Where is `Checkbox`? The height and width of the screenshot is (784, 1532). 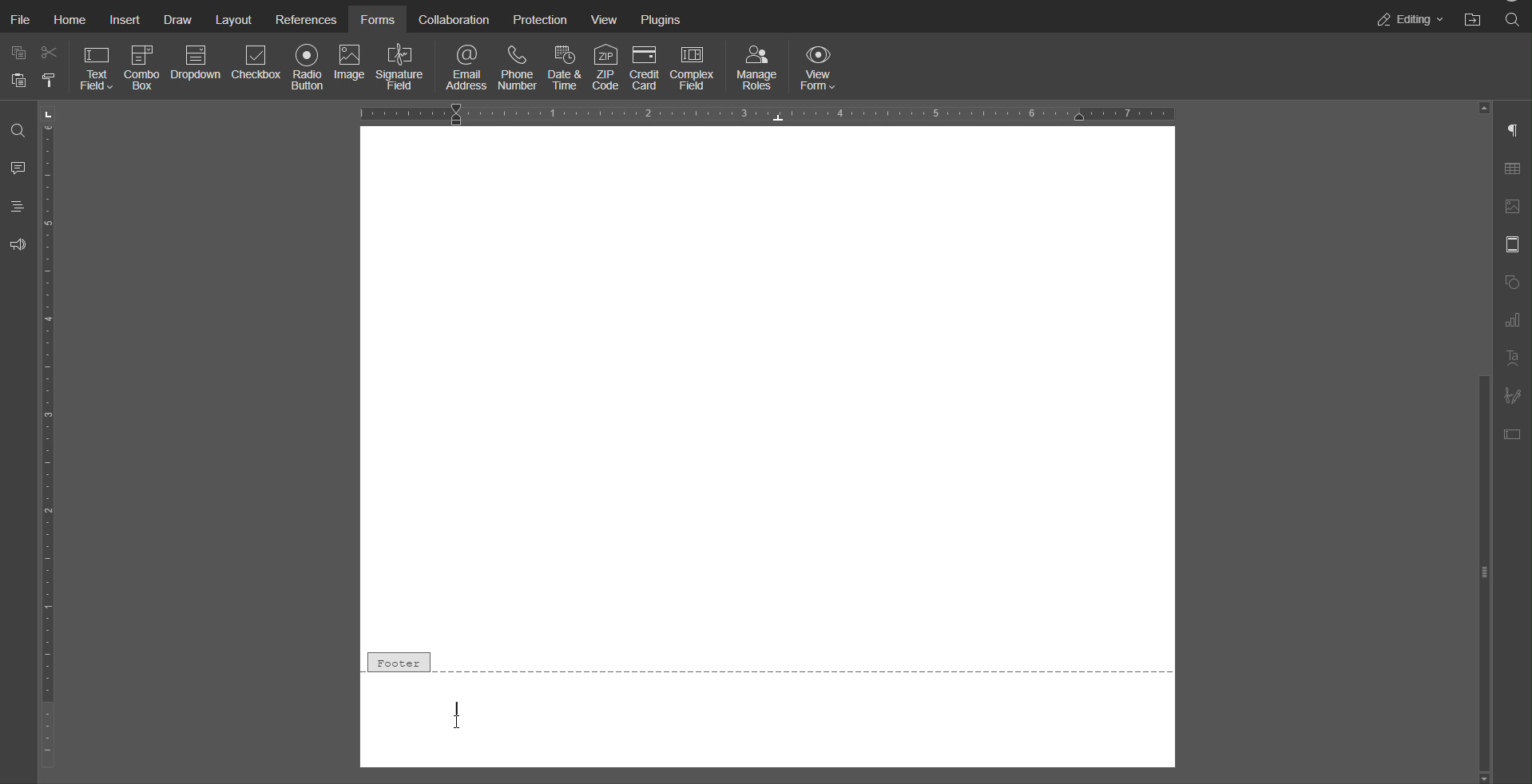
Checkbox is located at coordinates (258, 69).